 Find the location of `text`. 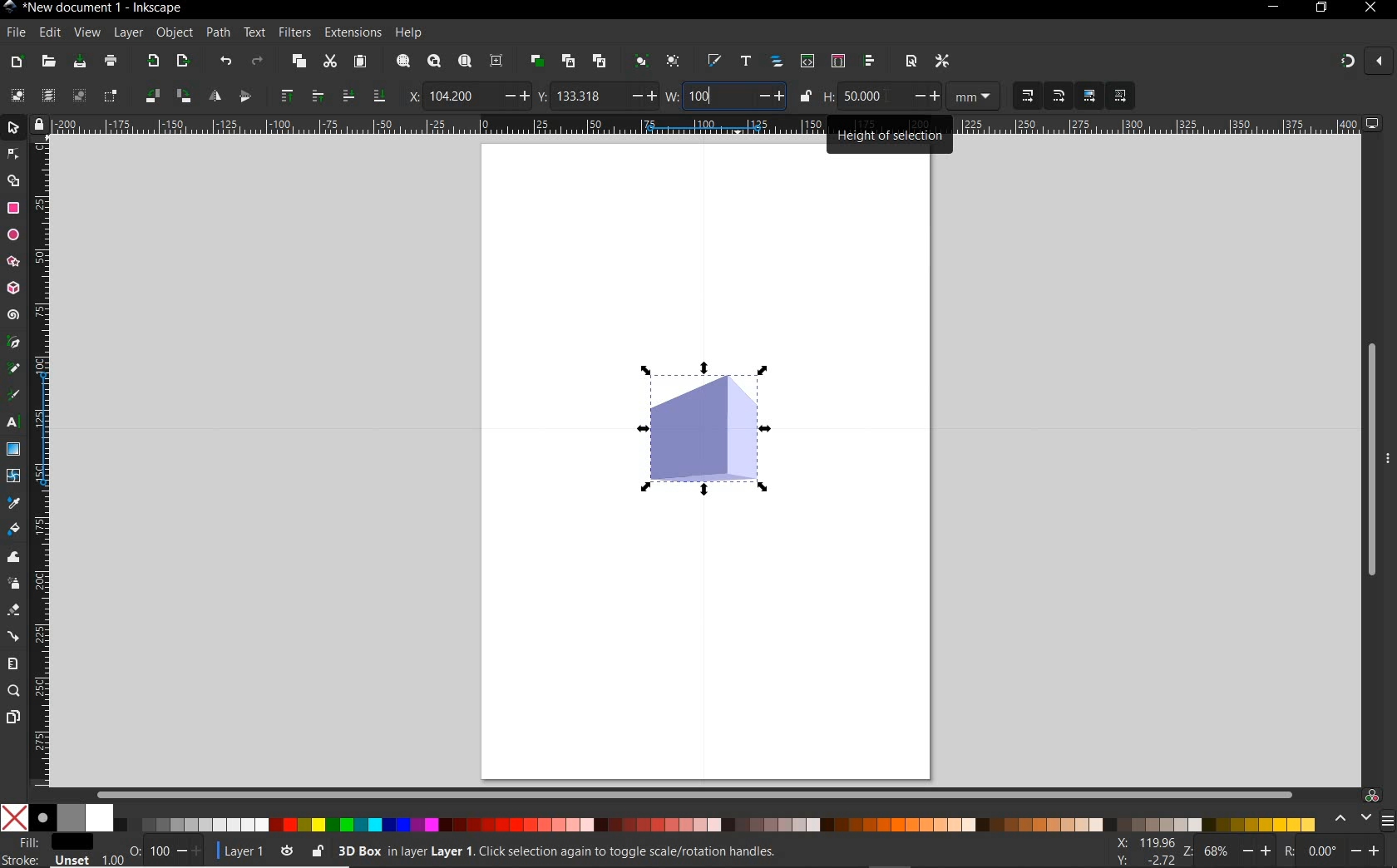

text is located at coordinates (254, 32).